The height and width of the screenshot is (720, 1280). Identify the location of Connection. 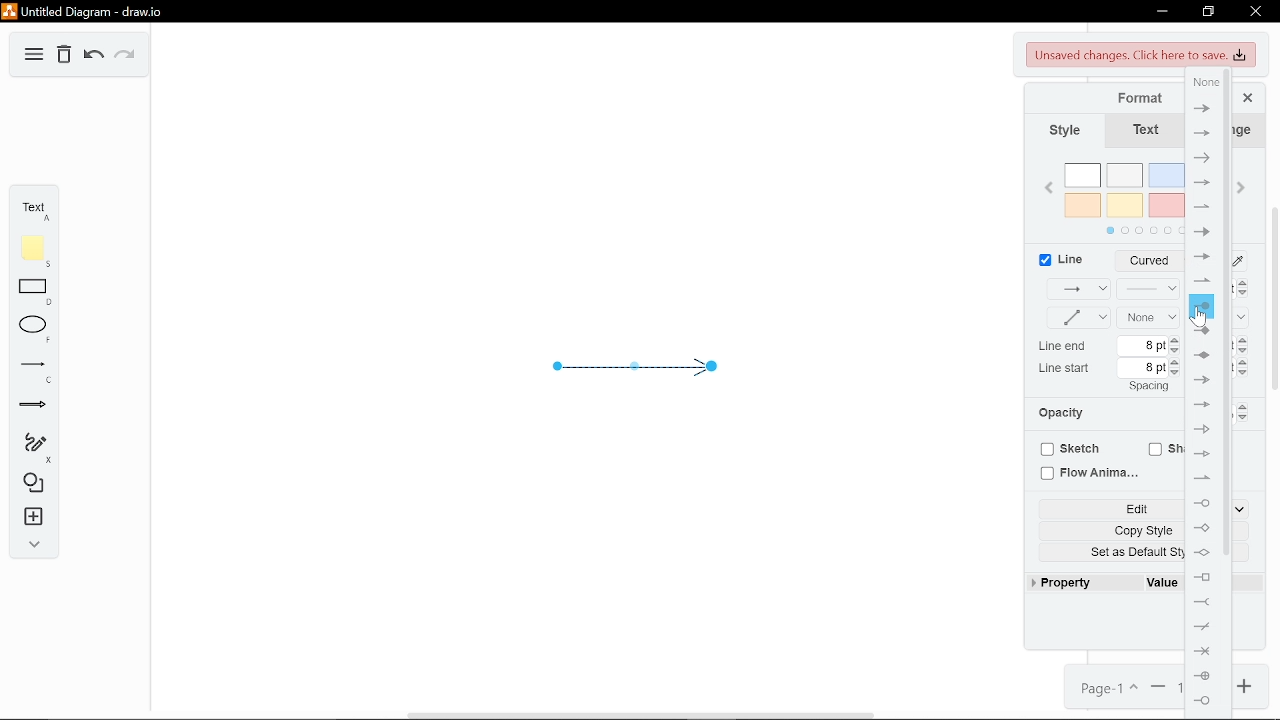
(1078, 289).